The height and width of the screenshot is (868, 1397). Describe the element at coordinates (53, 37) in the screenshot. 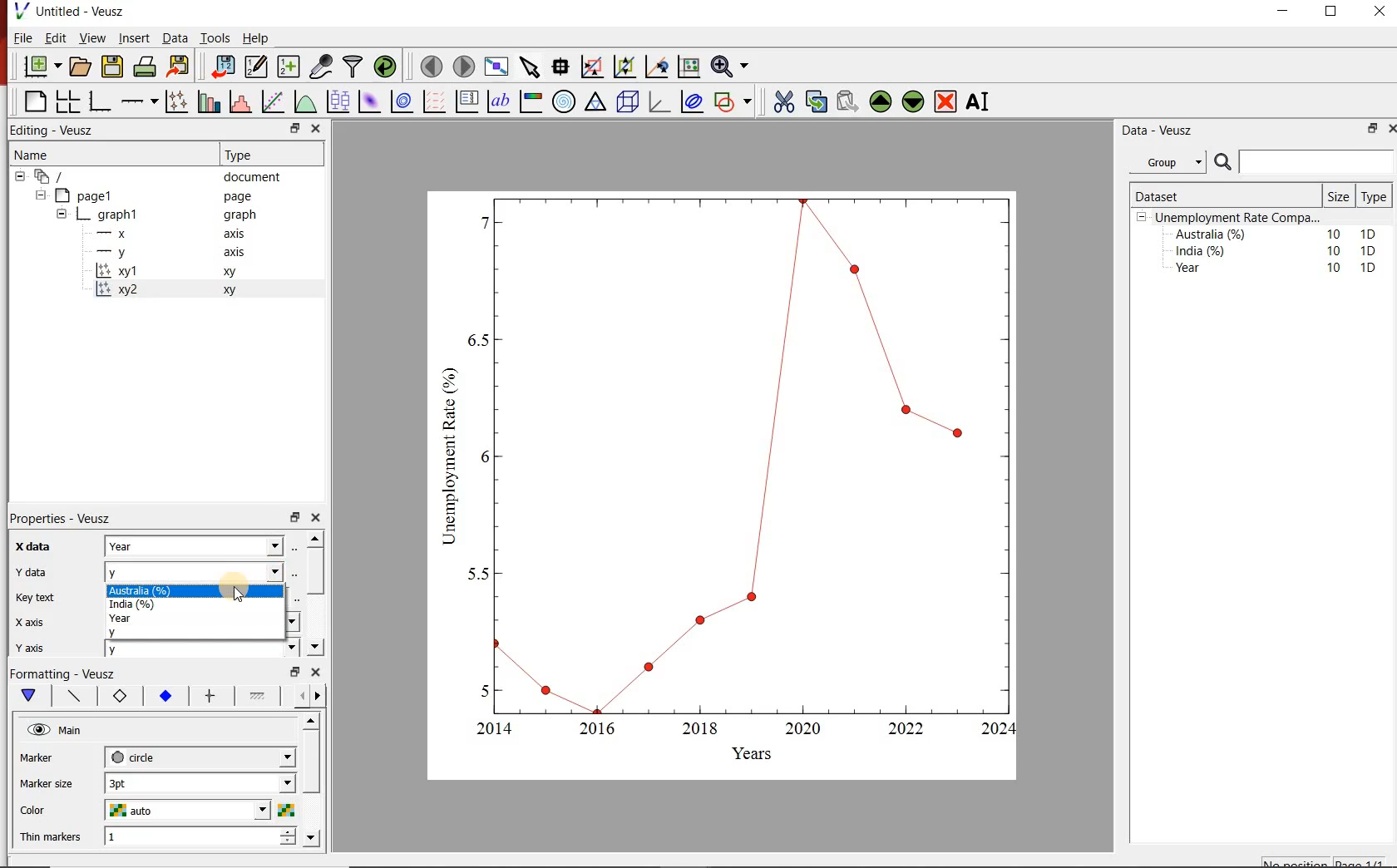

I see `Edit` at that location.